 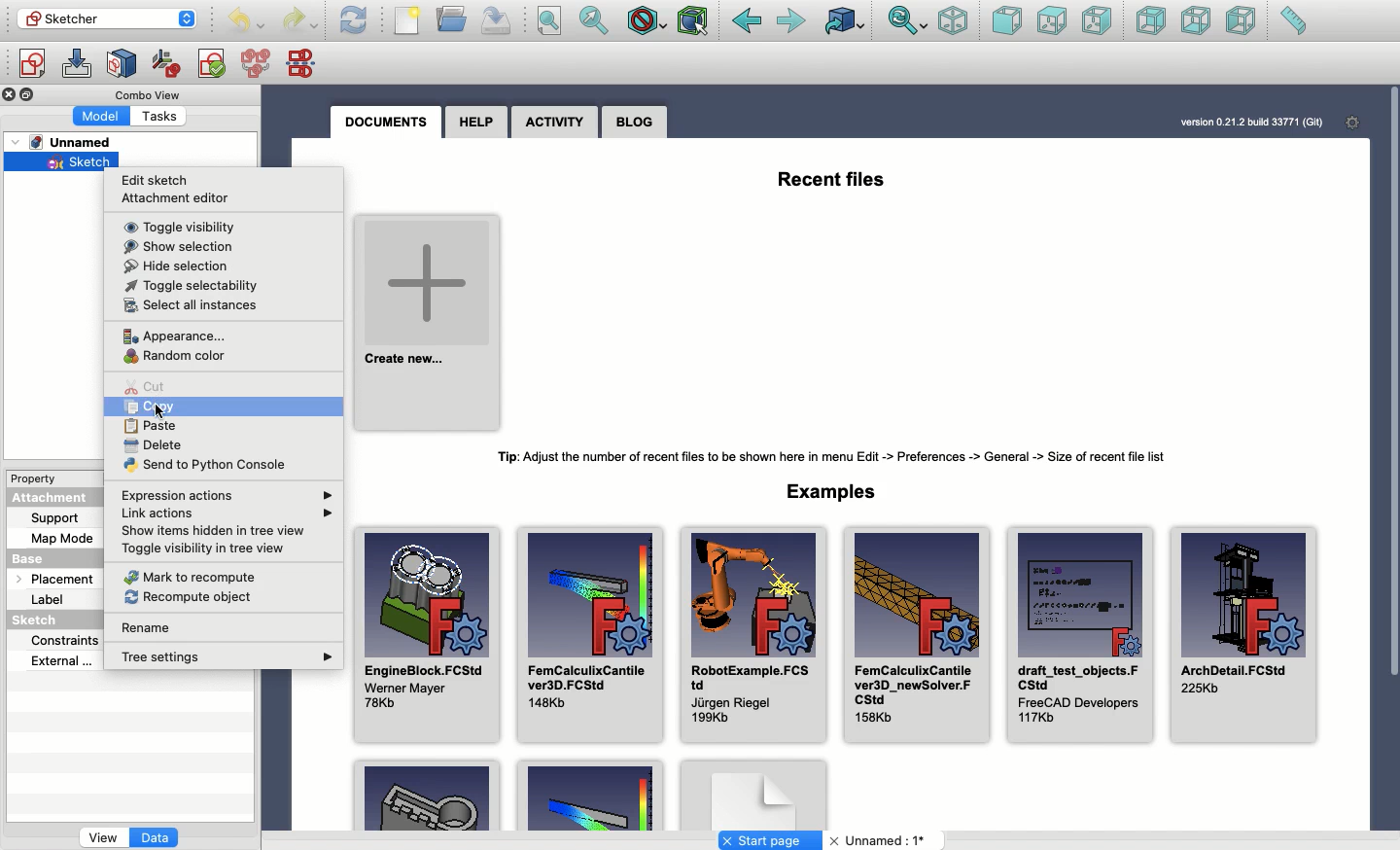 What do you see at coordinates (589, 797) in the screenshot?
I see `Examples` at bounding box center [589, 797].